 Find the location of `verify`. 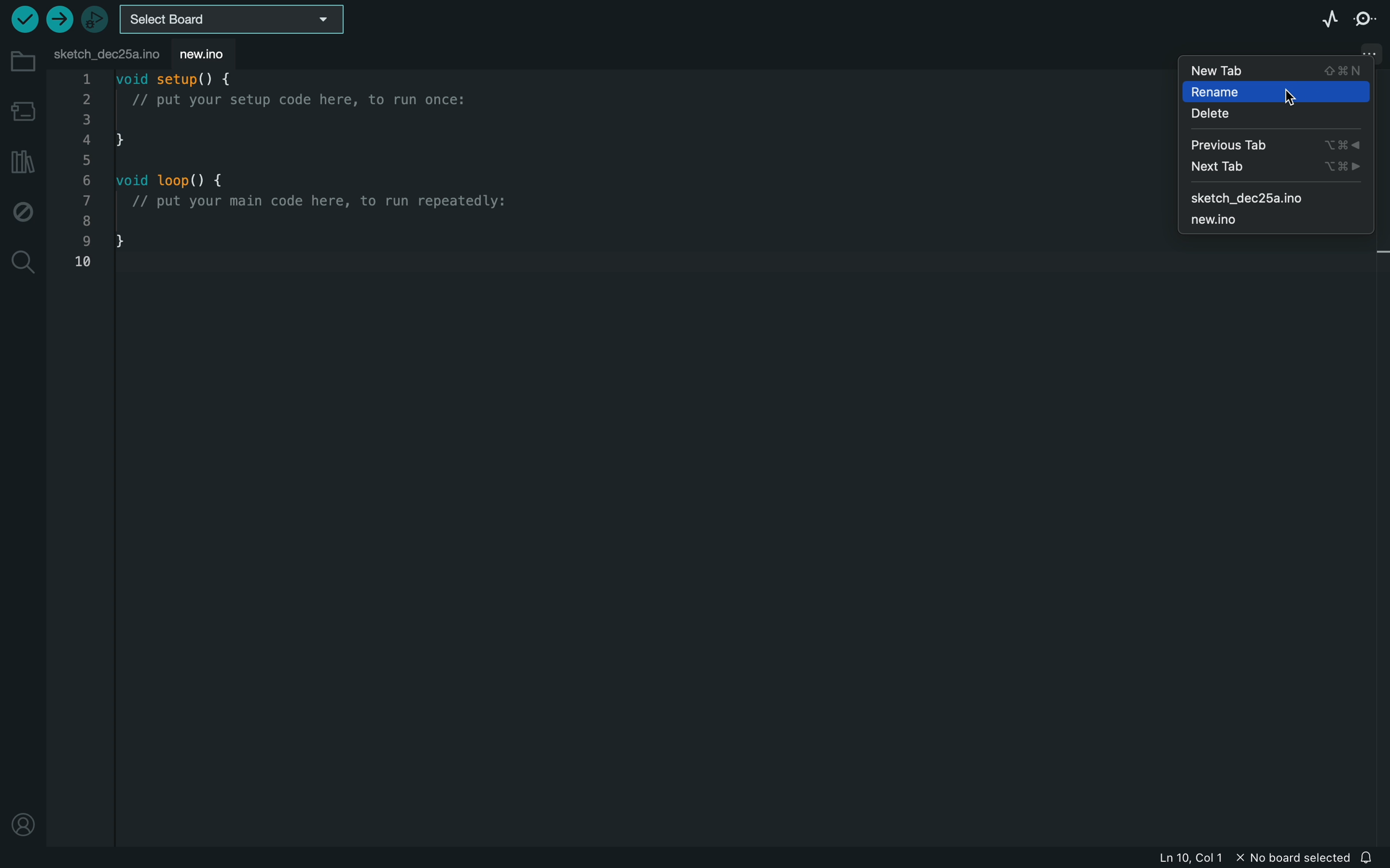

verify is located at coordinates (22, 20).